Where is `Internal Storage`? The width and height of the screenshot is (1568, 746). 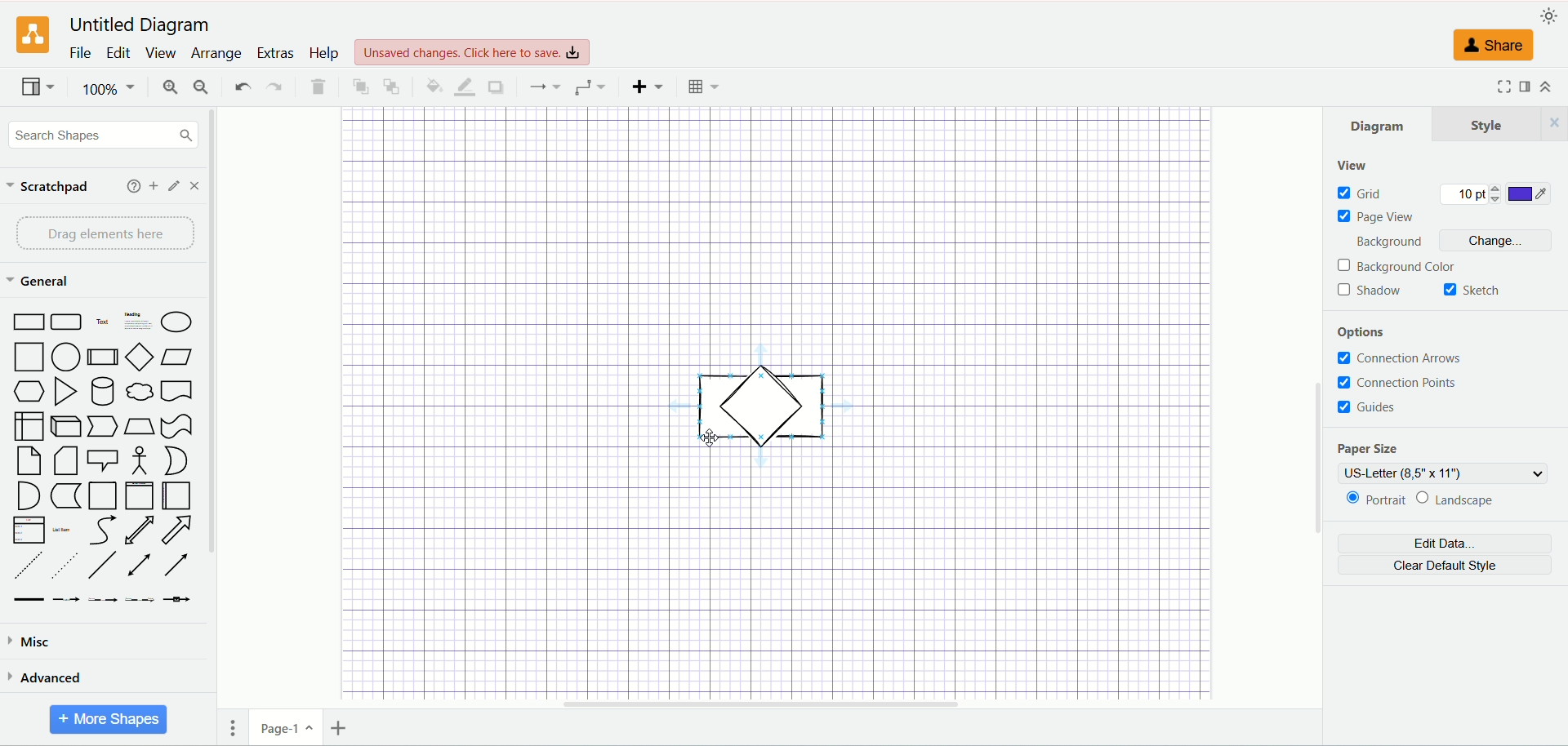
Internal Storage is located at coordinates (25, 426).